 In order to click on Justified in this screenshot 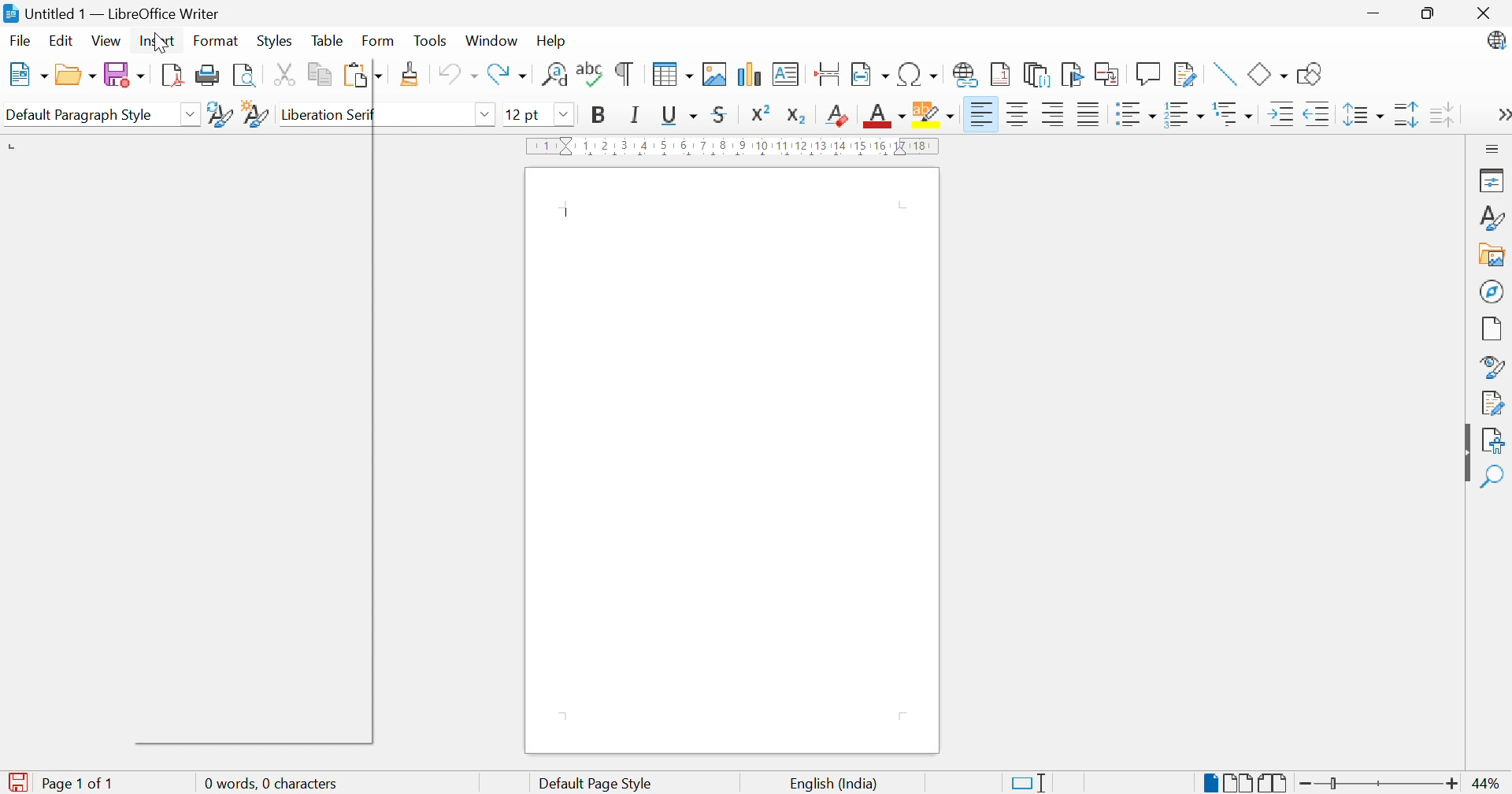, I will do `click(1087, 113)`.